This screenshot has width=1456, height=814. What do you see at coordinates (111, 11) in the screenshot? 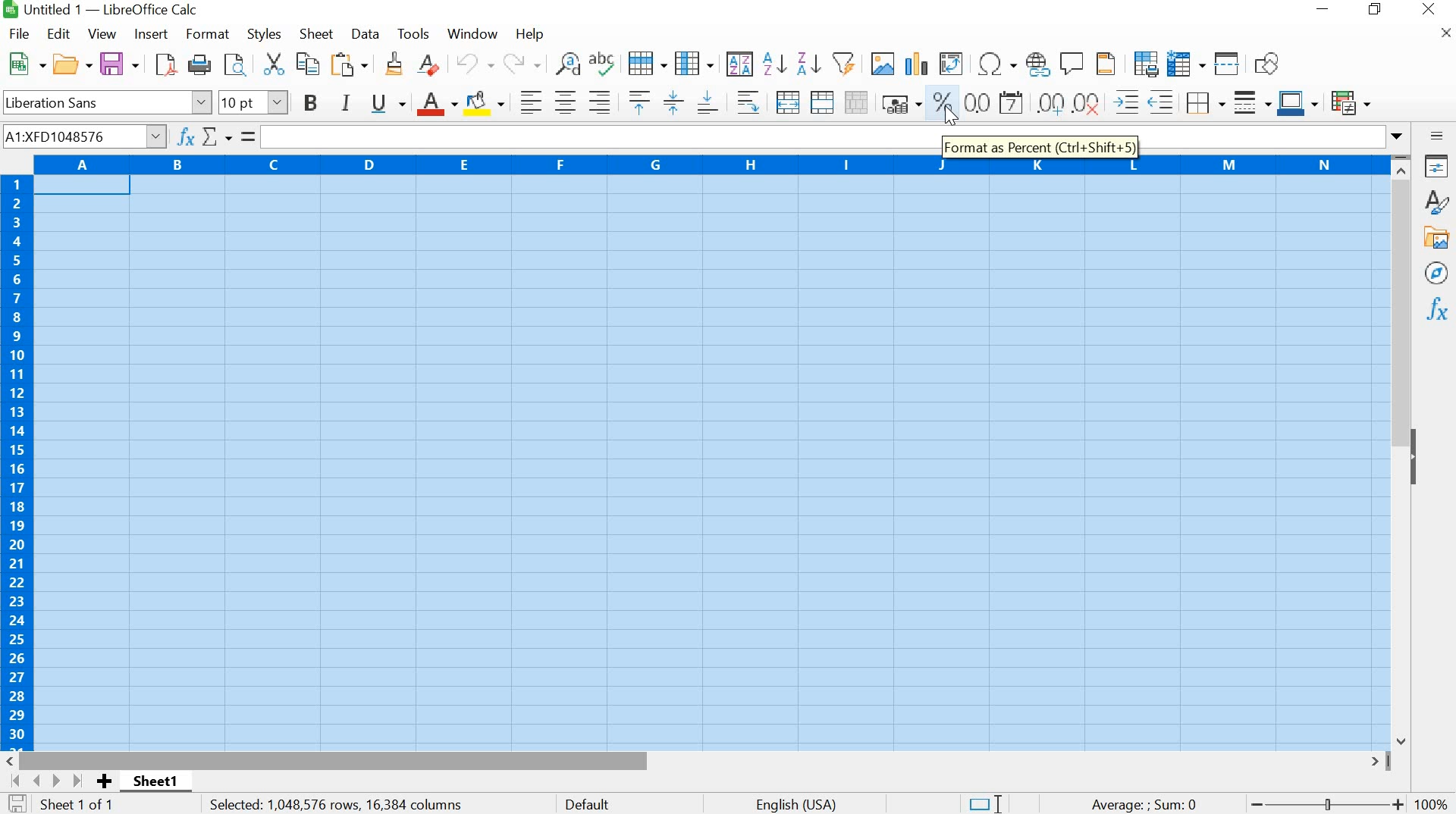
I see `Untitled 1 - LibreOffice Calc` at bounding box center [111, 11].